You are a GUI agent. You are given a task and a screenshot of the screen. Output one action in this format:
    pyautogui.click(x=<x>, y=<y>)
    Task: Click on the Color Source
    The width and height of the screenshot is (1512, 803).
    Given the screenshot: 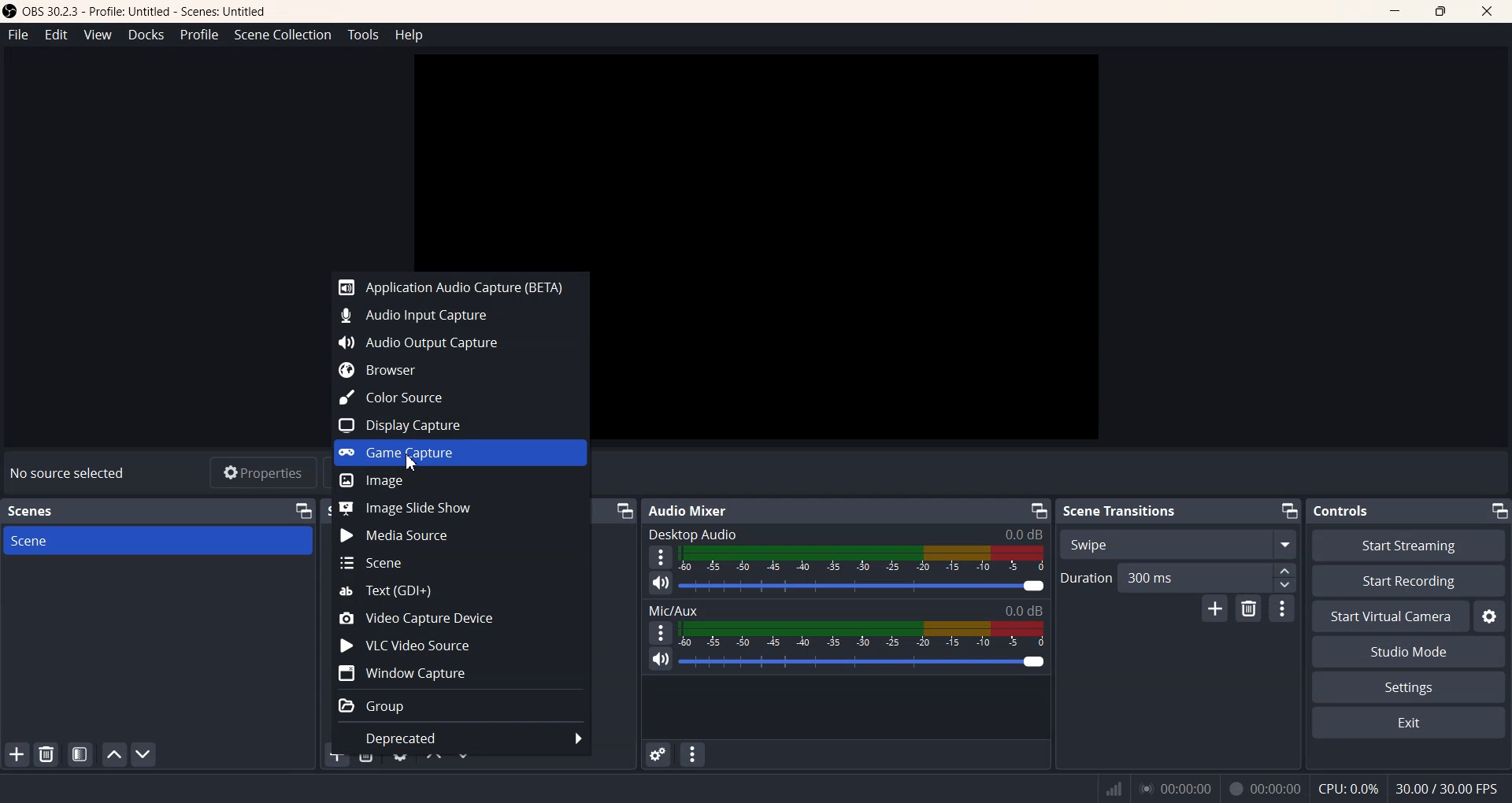 What is the action you would take?
    pyautogui.click(x=451, y=398)
    